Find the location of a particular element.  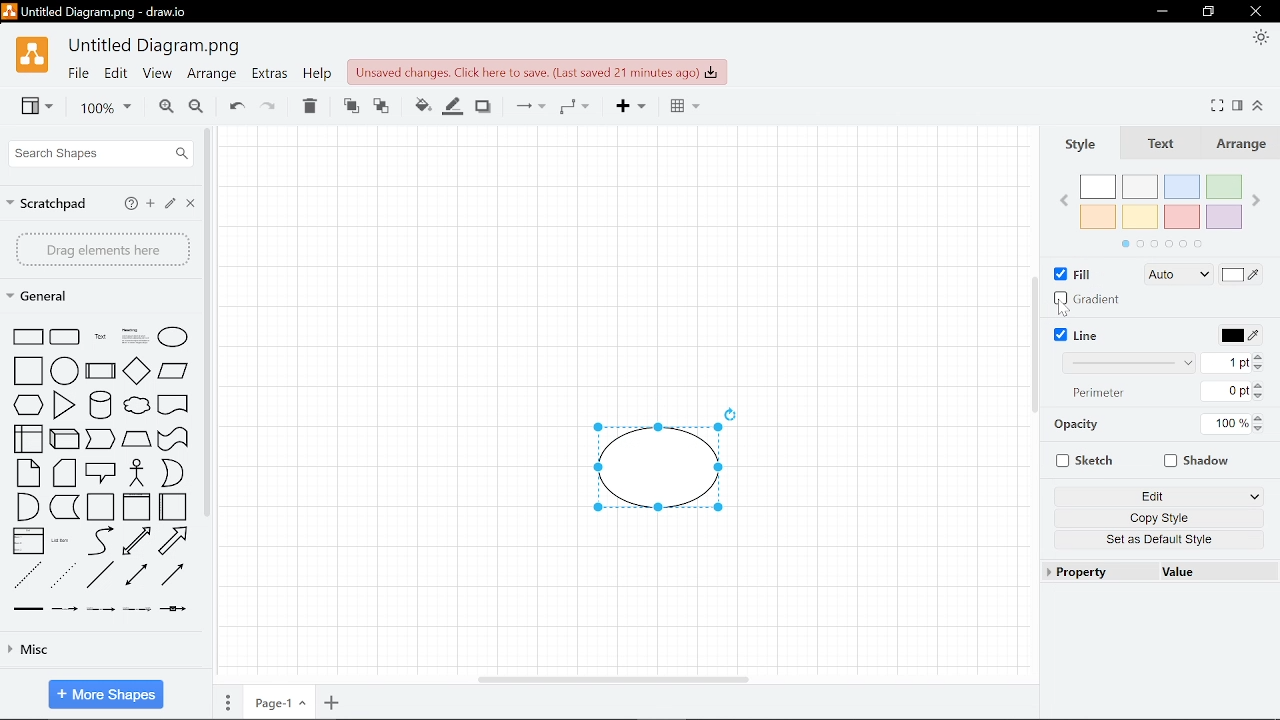

View is located at coordinates (38, 106).